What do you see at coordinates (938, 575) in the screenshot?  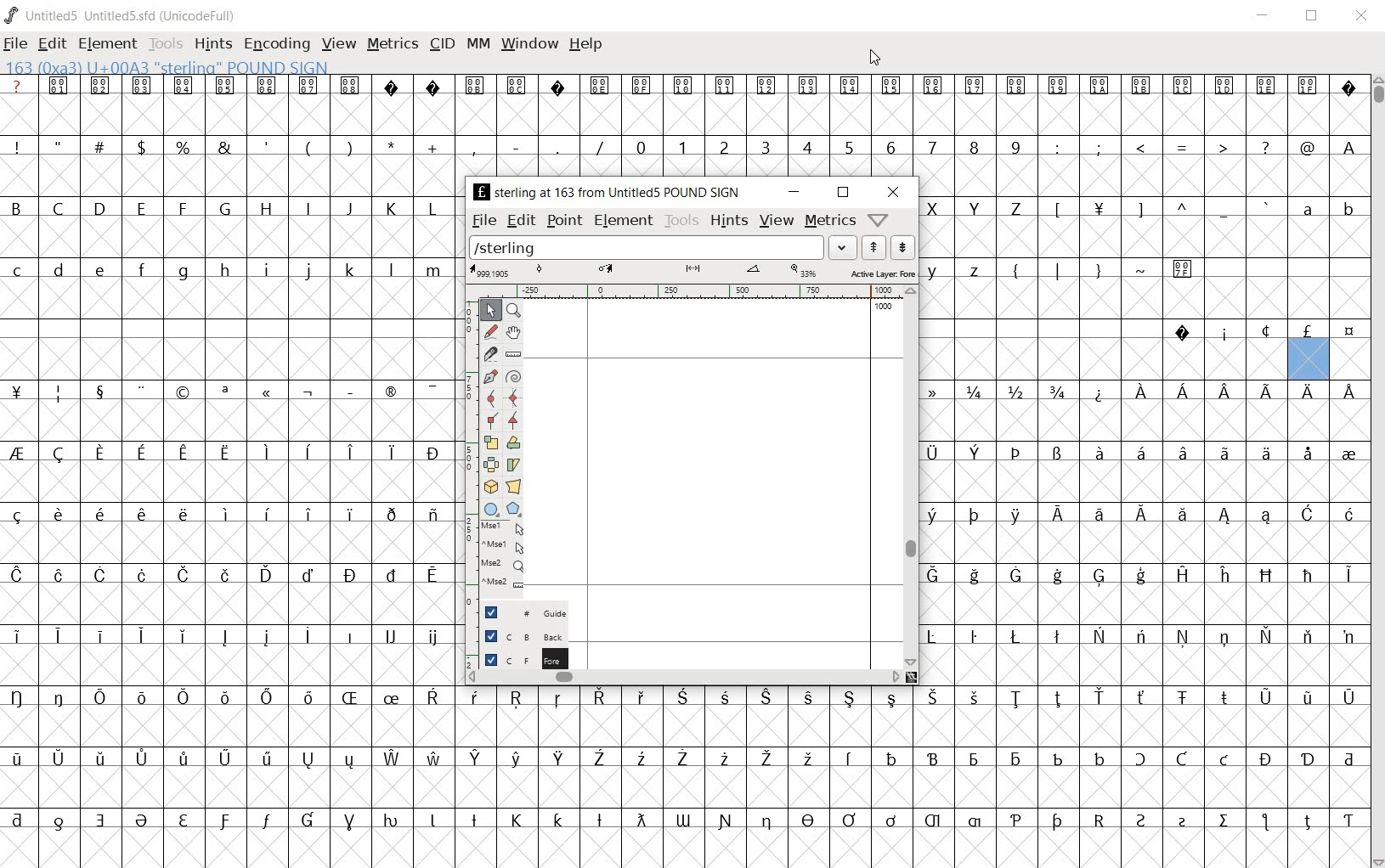 I see `Symbol` at bounding box center [938, 575].